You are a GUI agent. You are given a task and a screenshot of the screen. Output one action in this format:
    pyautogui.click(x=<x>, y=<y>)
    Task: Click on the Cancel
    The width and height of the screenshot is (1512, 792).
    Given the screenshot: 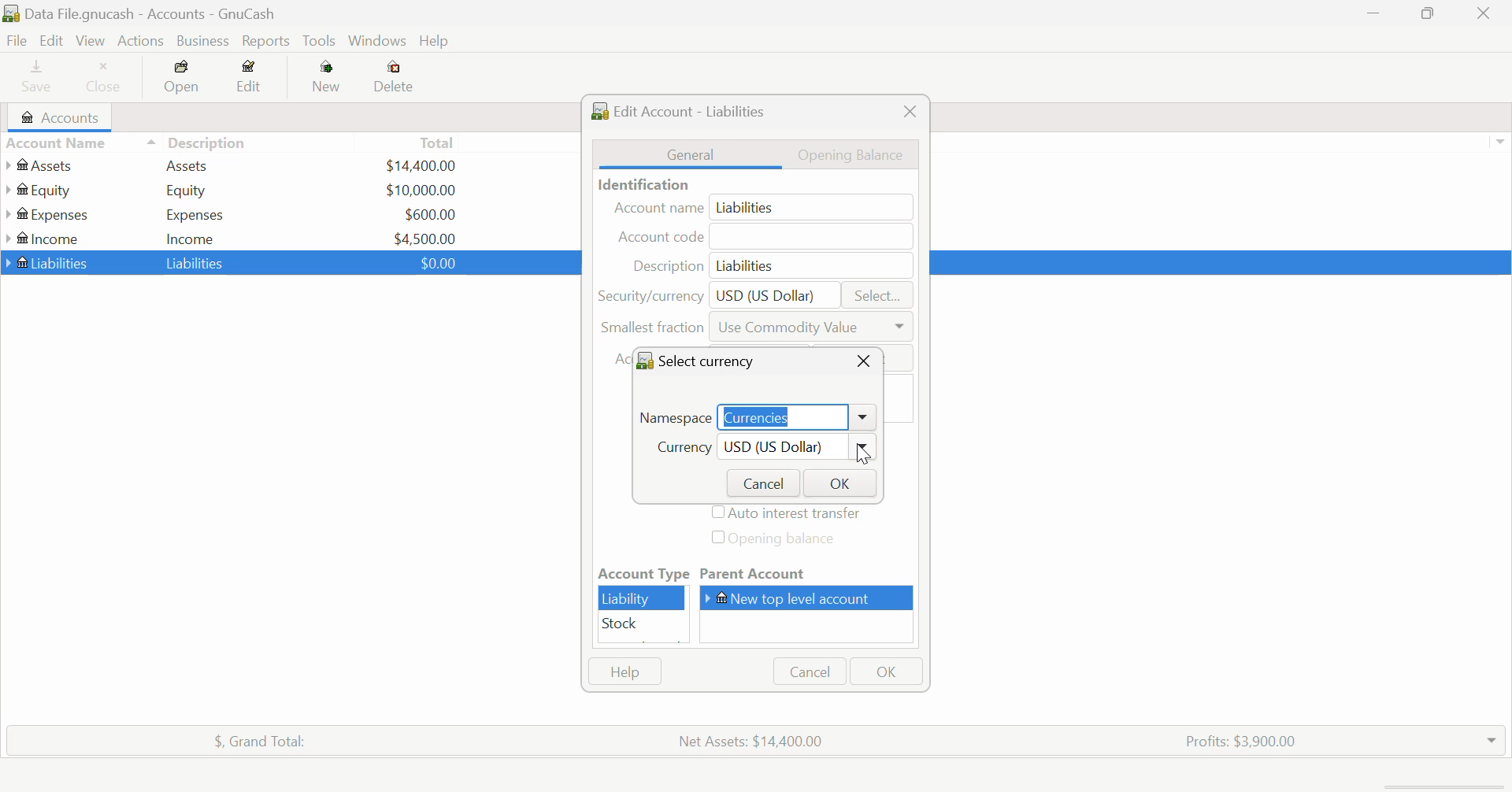 What is the action you would take?
    pyautogui.click(x=808, y=672)
    